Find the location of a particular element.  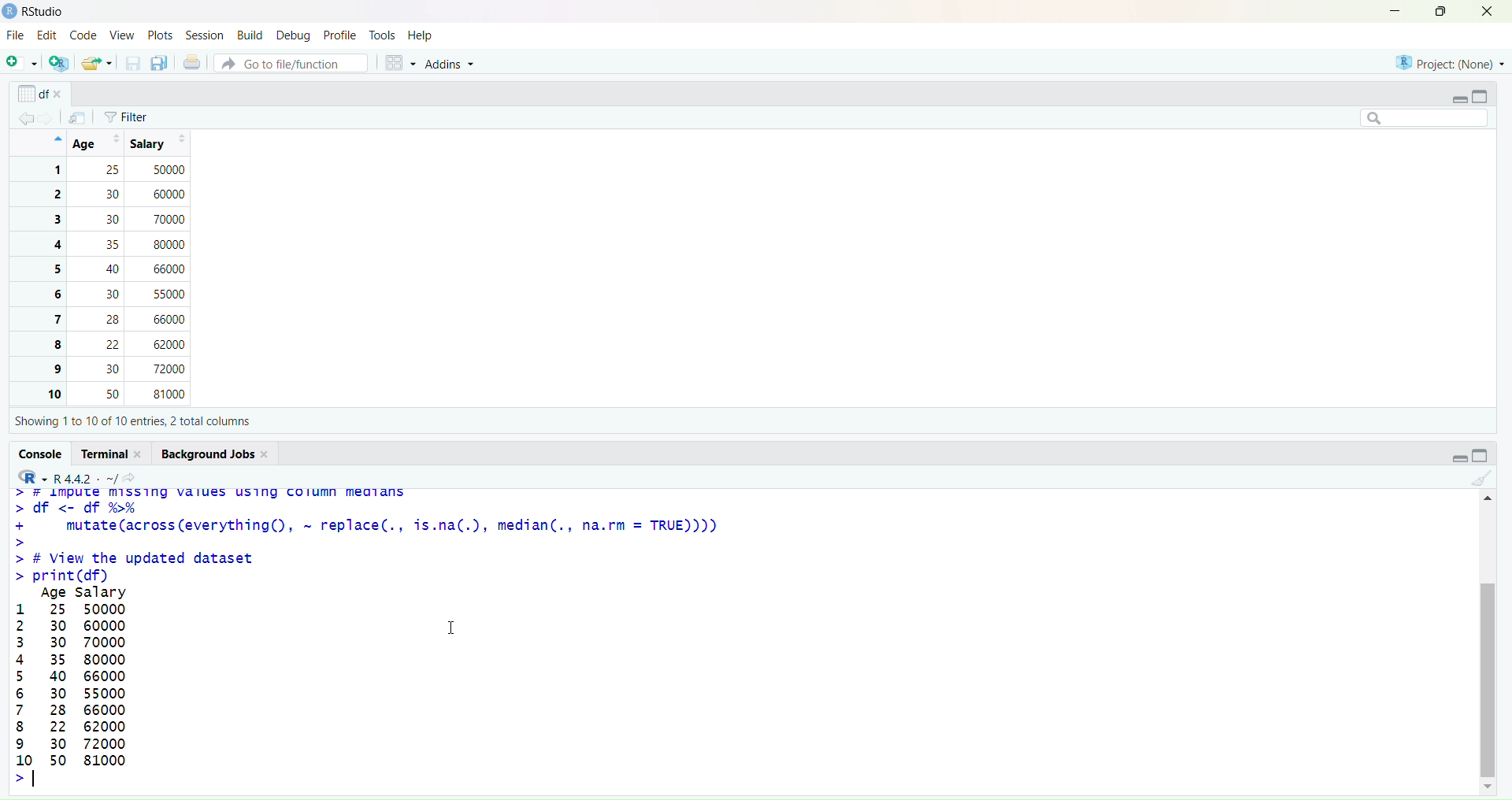

text cursor is located at coordinates (36, 780).